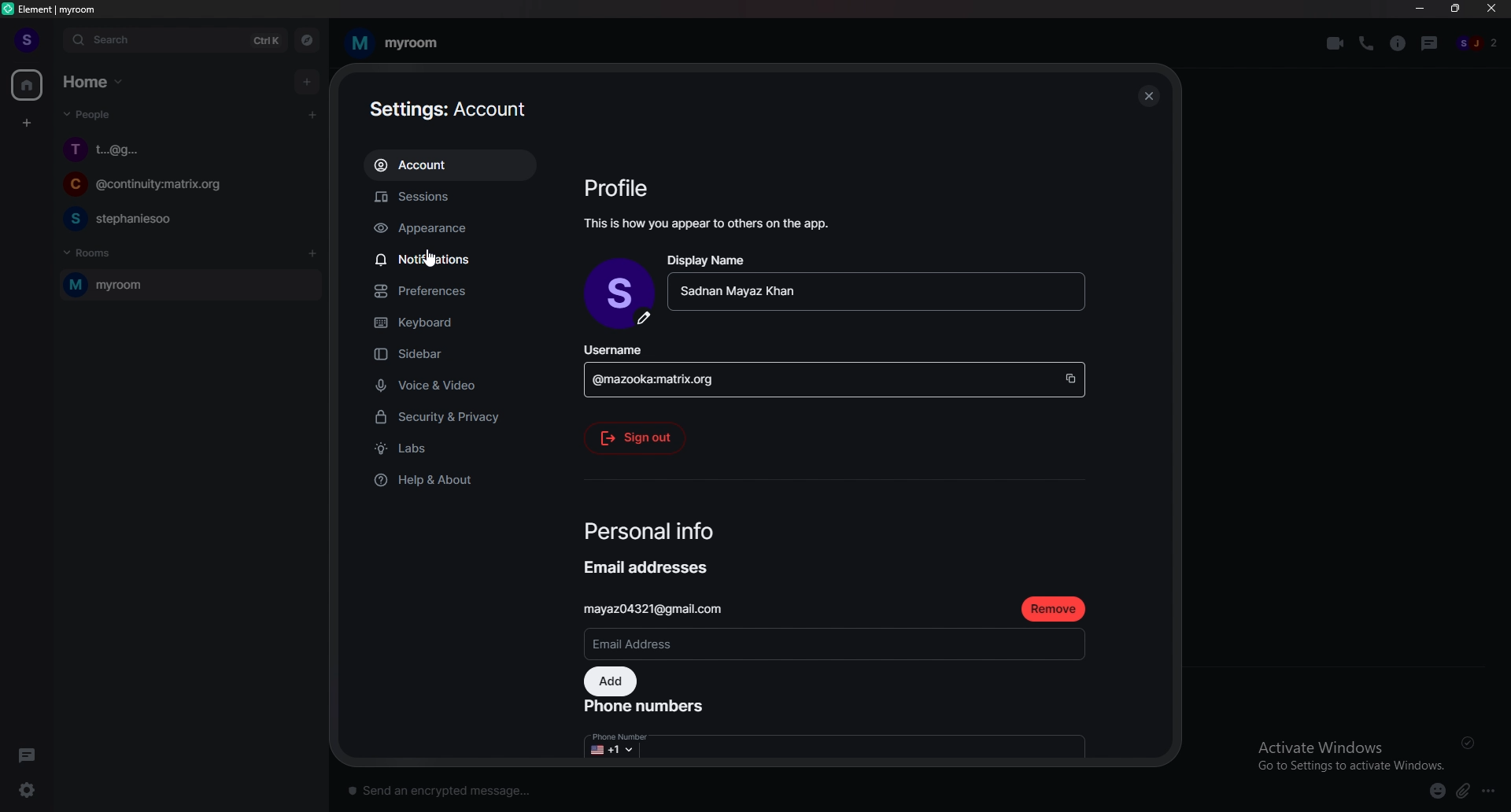  Describe the element at coordinates (1491, 10) in the screenshot. I see `close` at that location.